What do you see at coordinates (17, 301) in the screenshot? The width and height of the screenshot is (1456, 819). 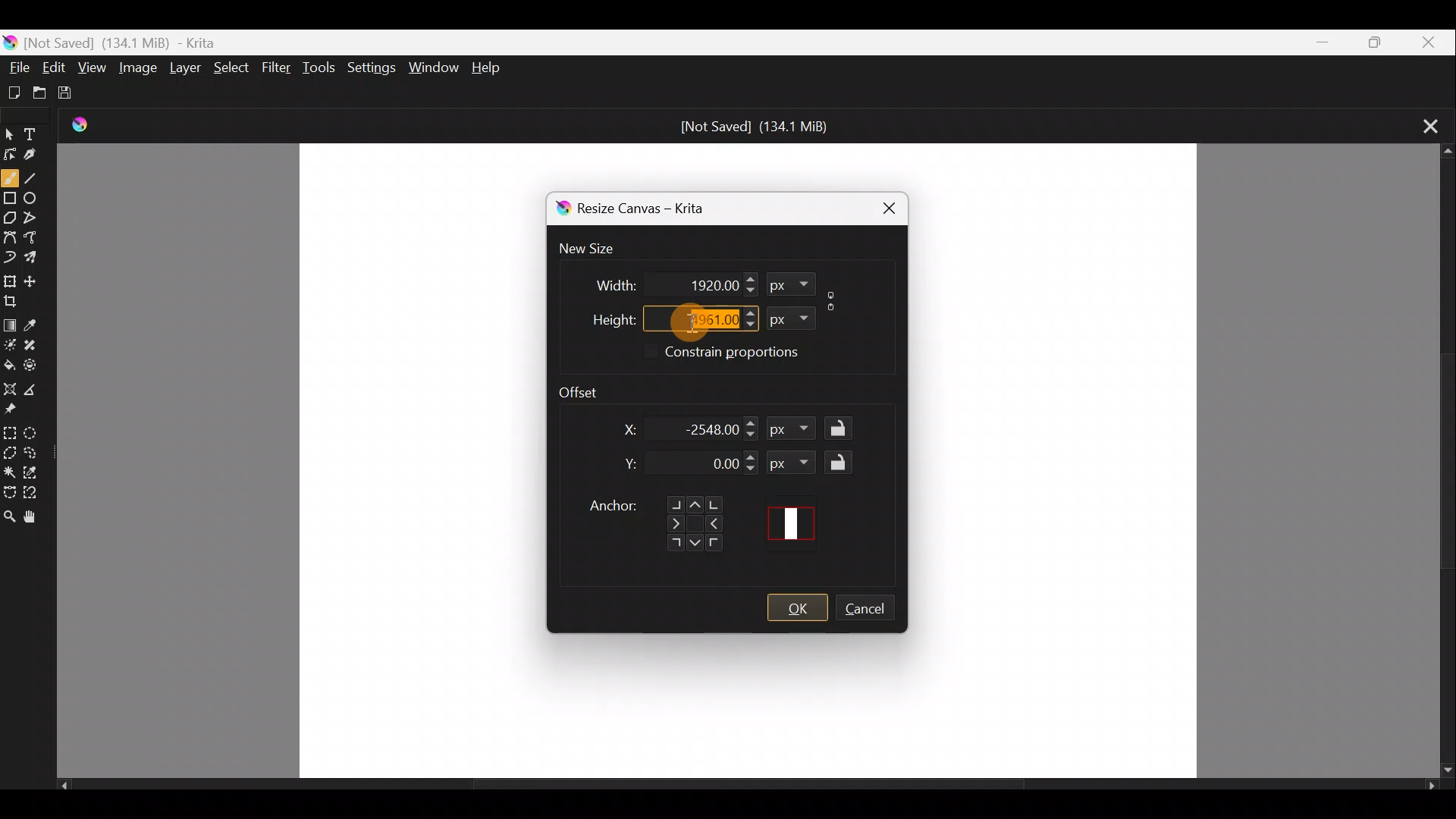 I see `Crop the image to an area` at bounding box center [17, 301].